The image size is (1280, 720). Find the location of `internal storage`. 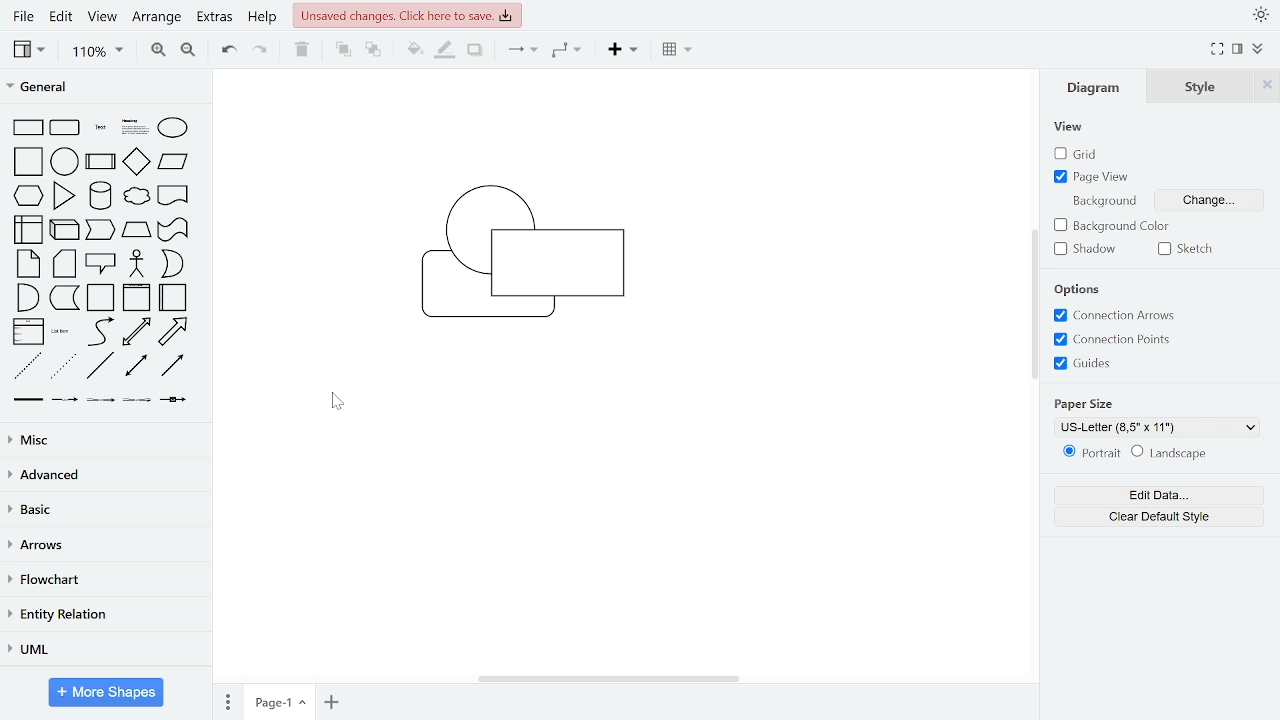

internal storage is located at coordinates (30, 230).